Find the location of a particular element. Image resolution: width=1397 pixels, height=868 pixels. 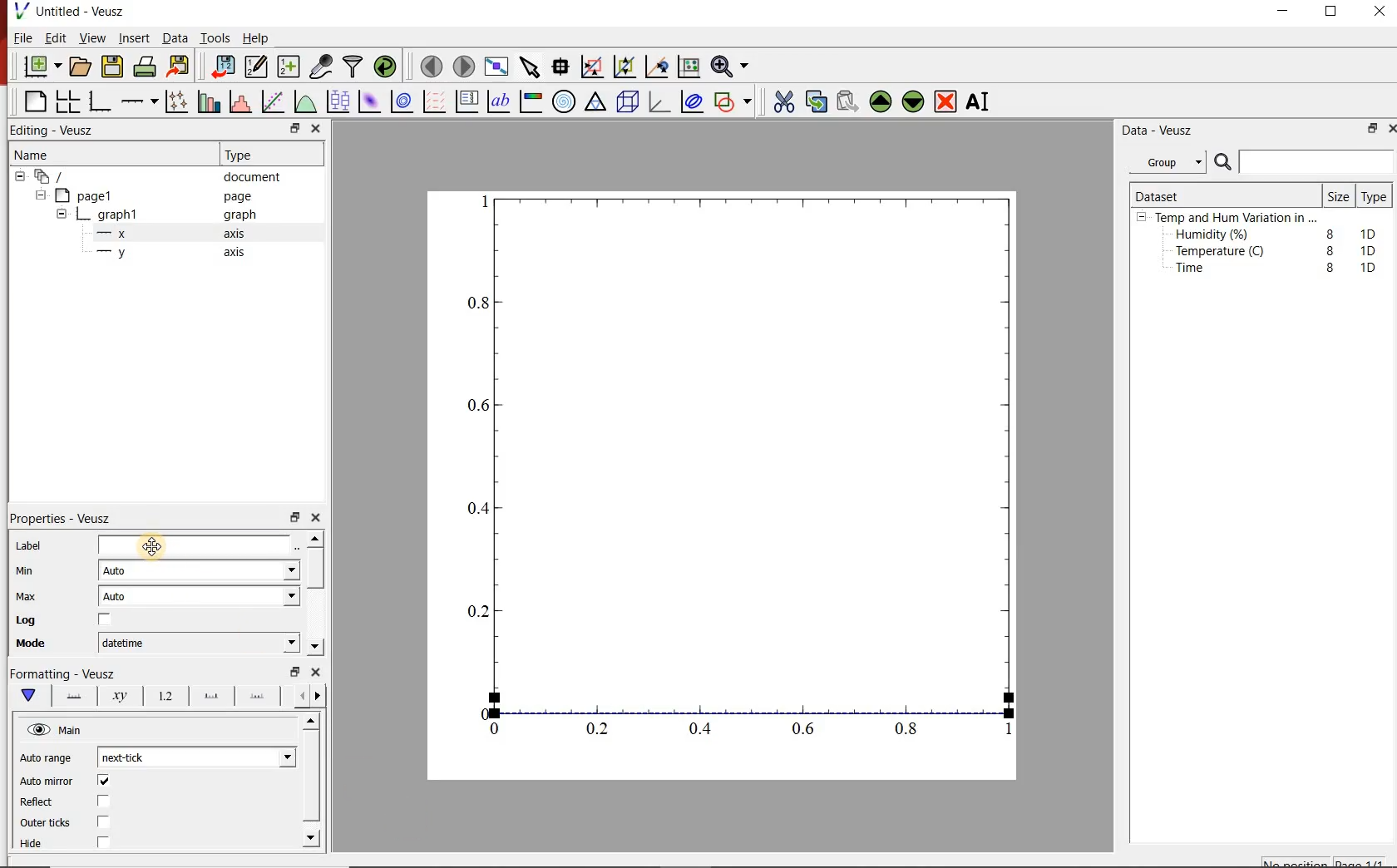

plot a vector field is located at coordinates (435, 101).